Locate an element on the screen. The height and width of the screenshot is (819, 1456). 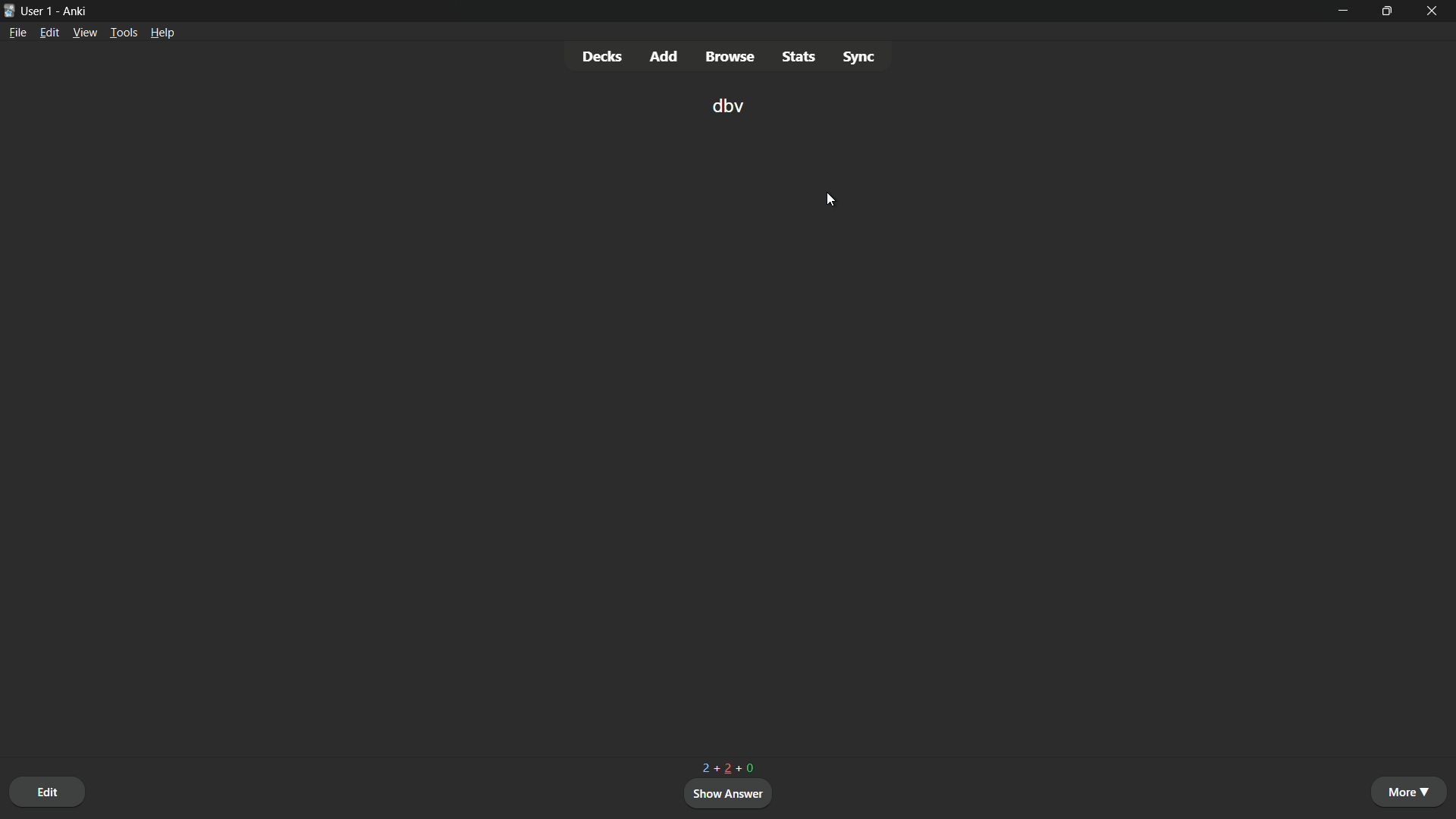
app name is located at coordinates (74, 12).